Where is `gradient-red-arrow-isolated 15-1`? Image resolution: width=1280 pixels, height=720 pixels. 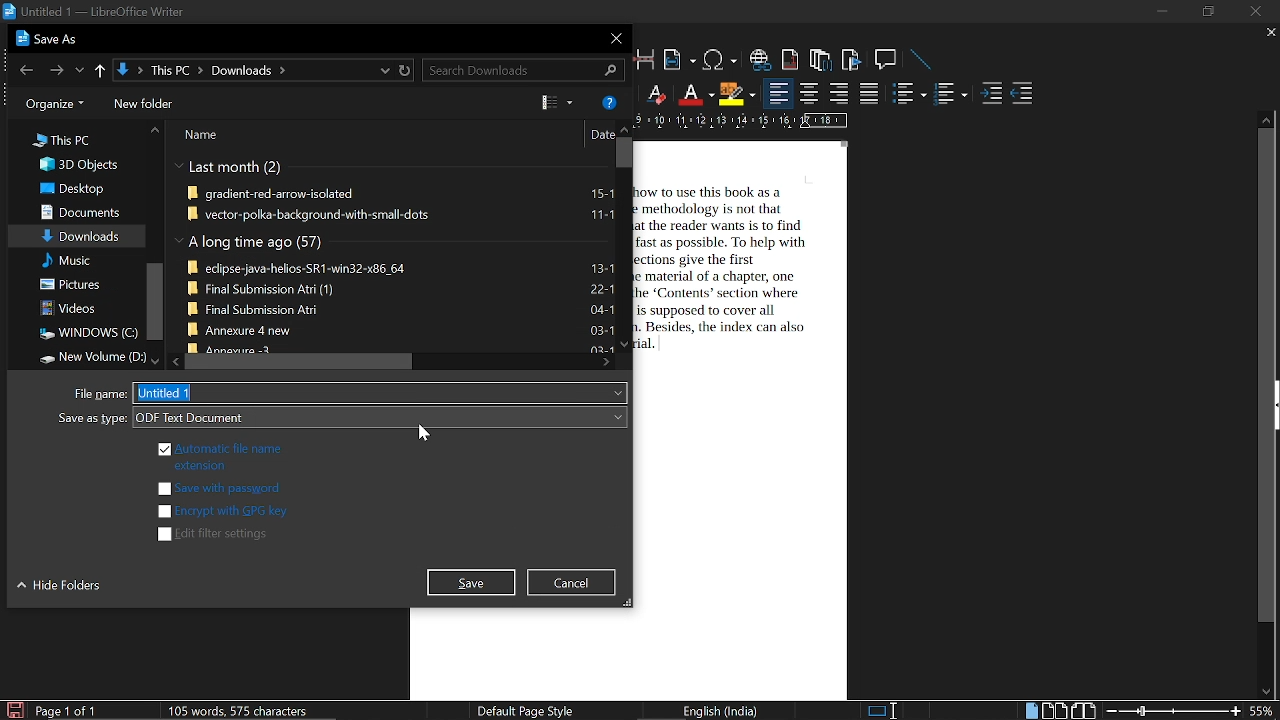
gradient-red-arrow-isolated 15-1 is located at coordinates (402, 195).